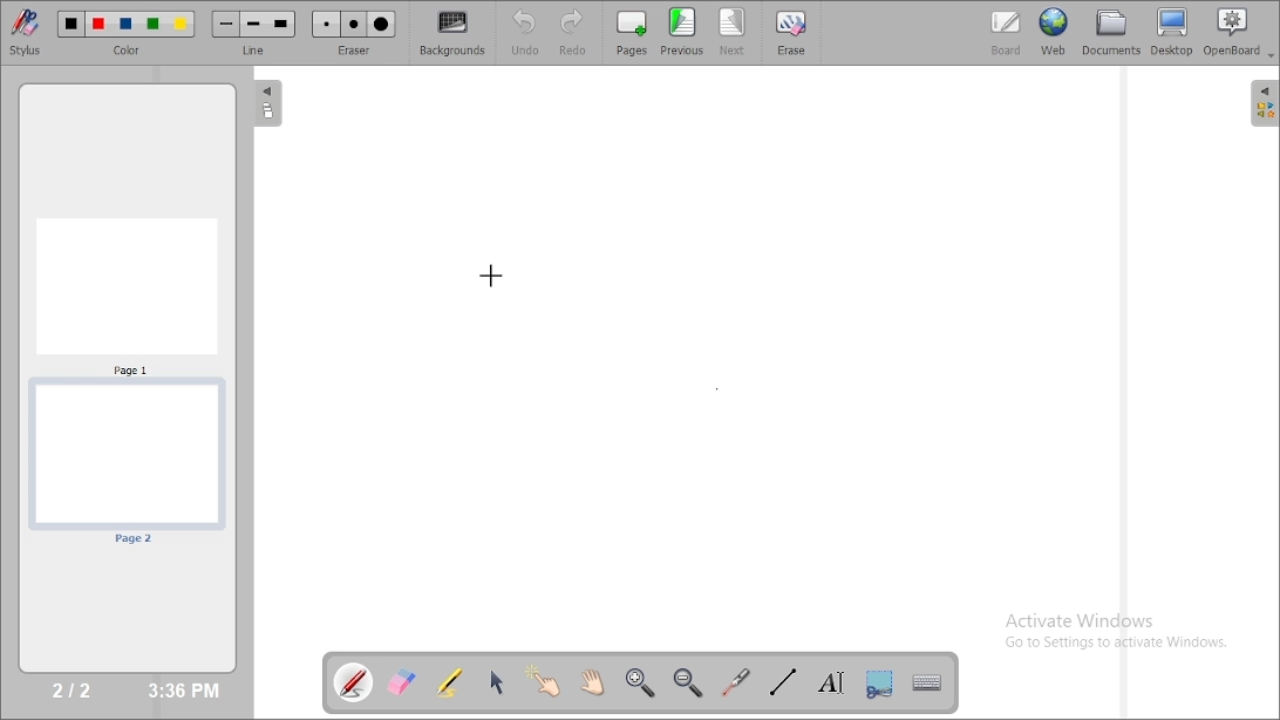  What do you see at coordinates (782, 681) in the screenshot?
I see `draw lines` at bounding box center [782, 681].